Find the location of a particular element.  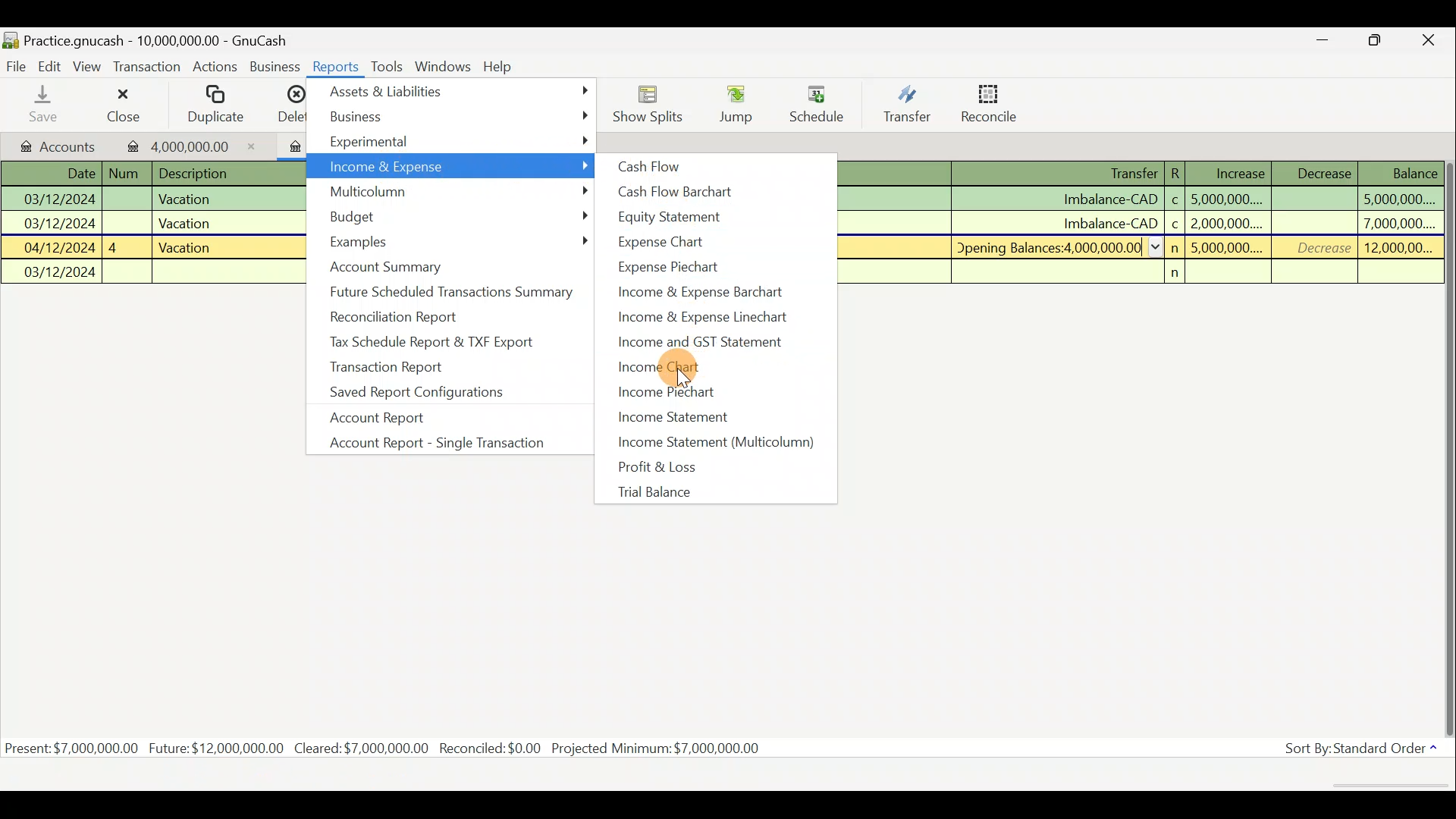

Practice.gnucash - 10,000,000.00 - GnuCash is located at coordinates (147, 39).